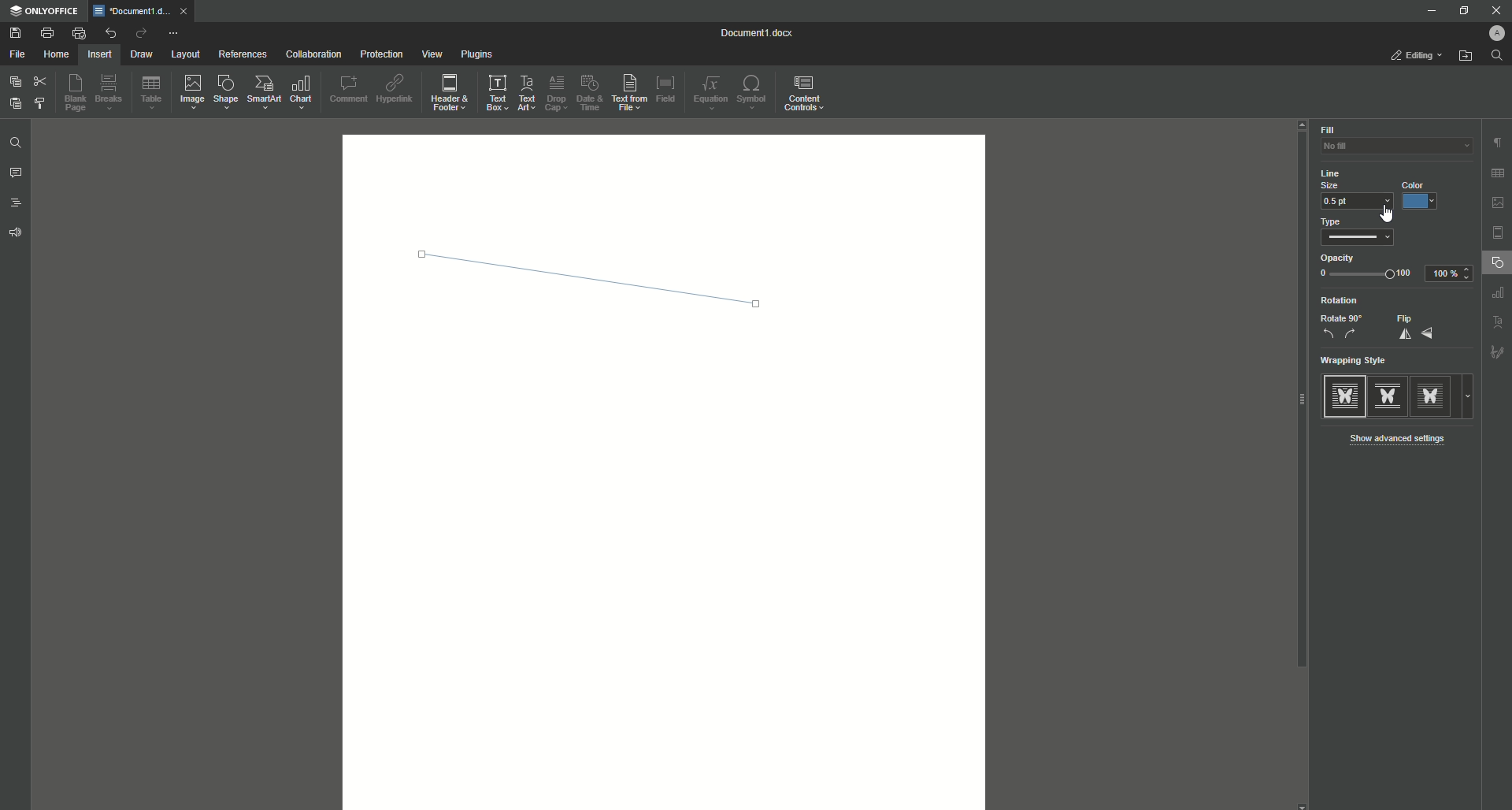  Describe the element at coordinates (1489, 34) in the screenshot. I see `Profile` at that location.